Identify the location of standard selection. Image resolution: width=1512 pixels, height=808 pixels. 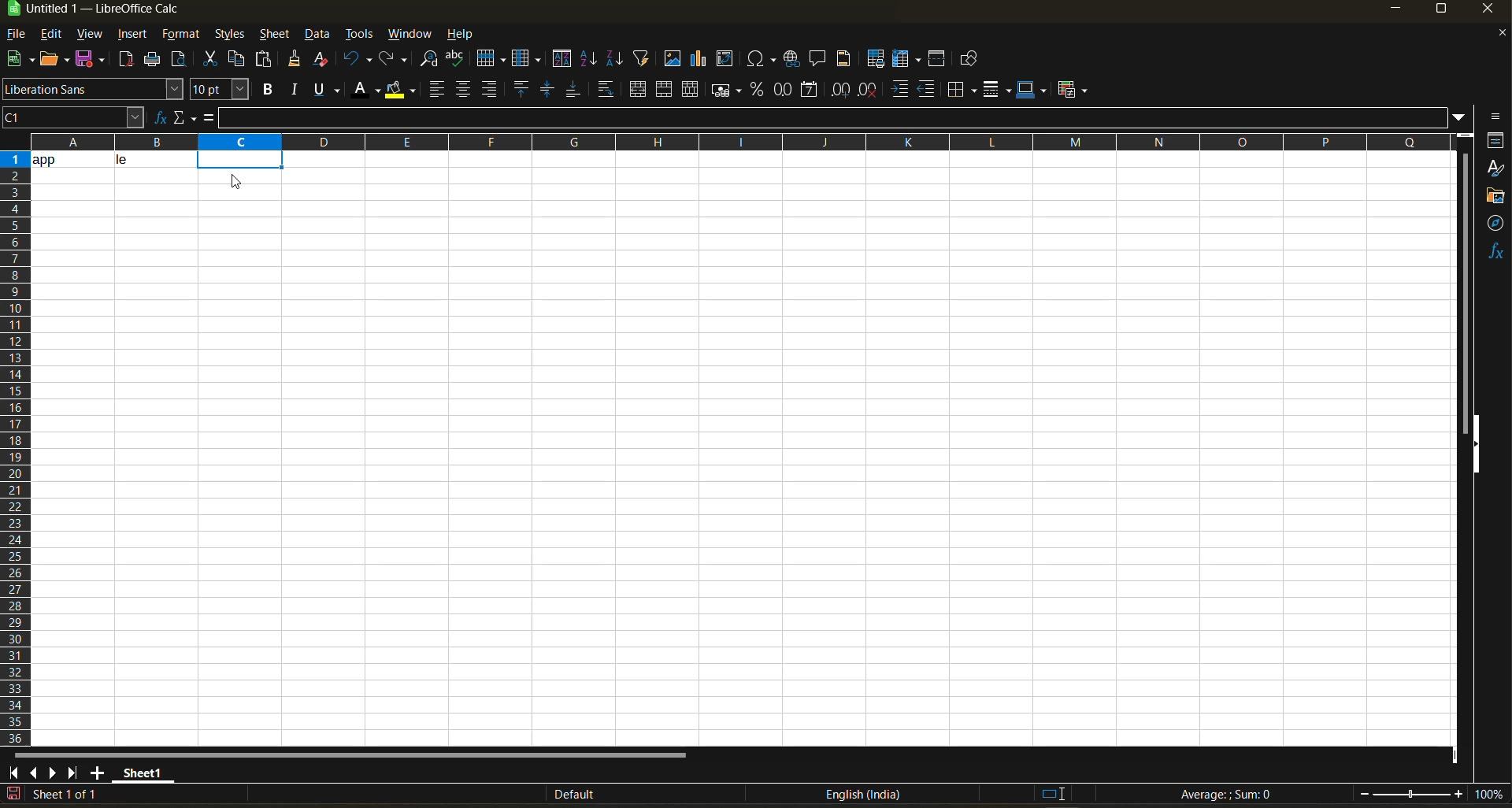
(1053, 793).